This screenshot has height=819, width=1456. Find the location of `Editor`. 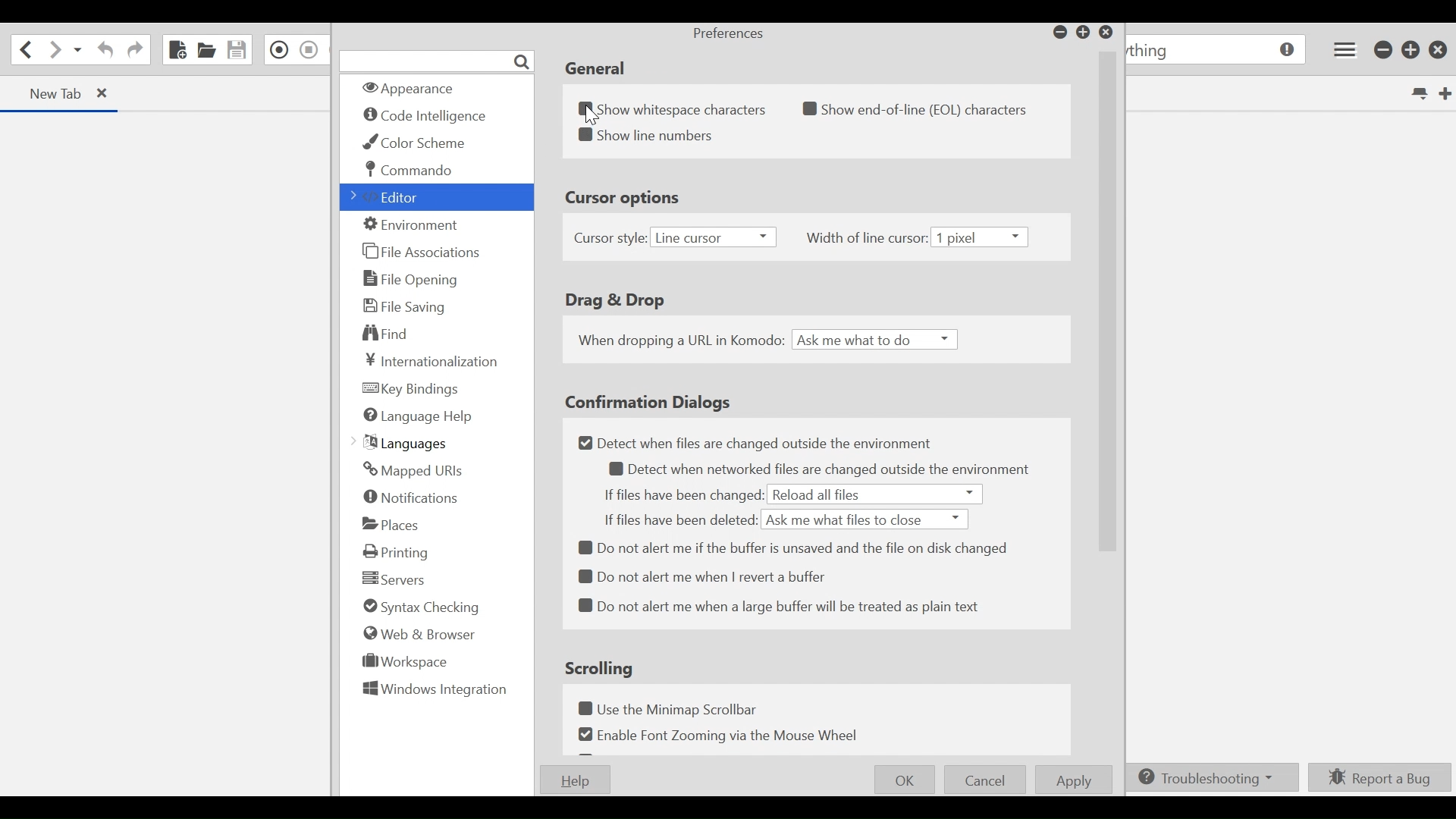

Editor is located at coordinates (392, 197).